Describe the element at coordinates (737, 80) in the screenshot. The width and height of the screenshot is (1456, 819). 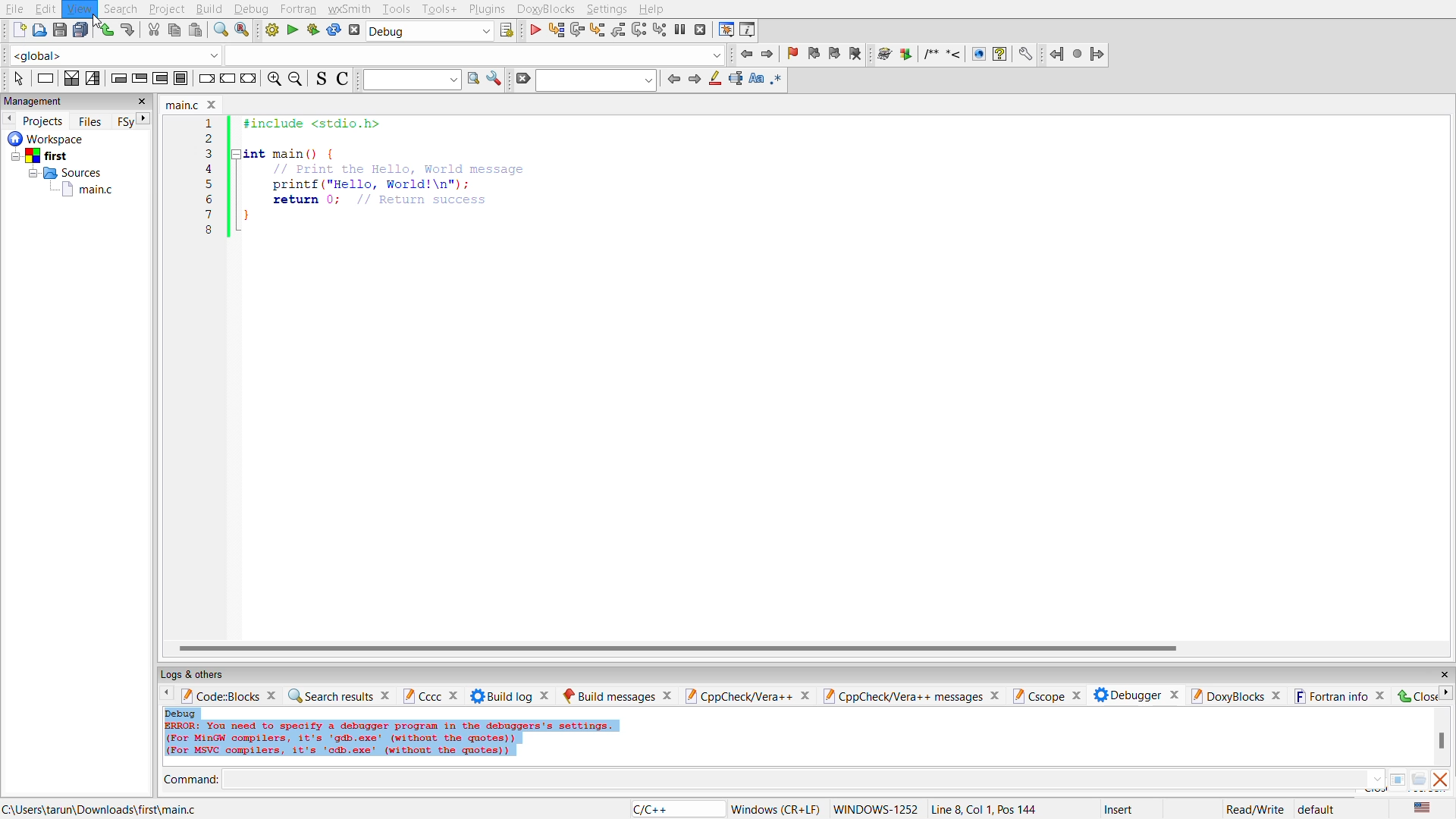
I see `selected text` at that location.